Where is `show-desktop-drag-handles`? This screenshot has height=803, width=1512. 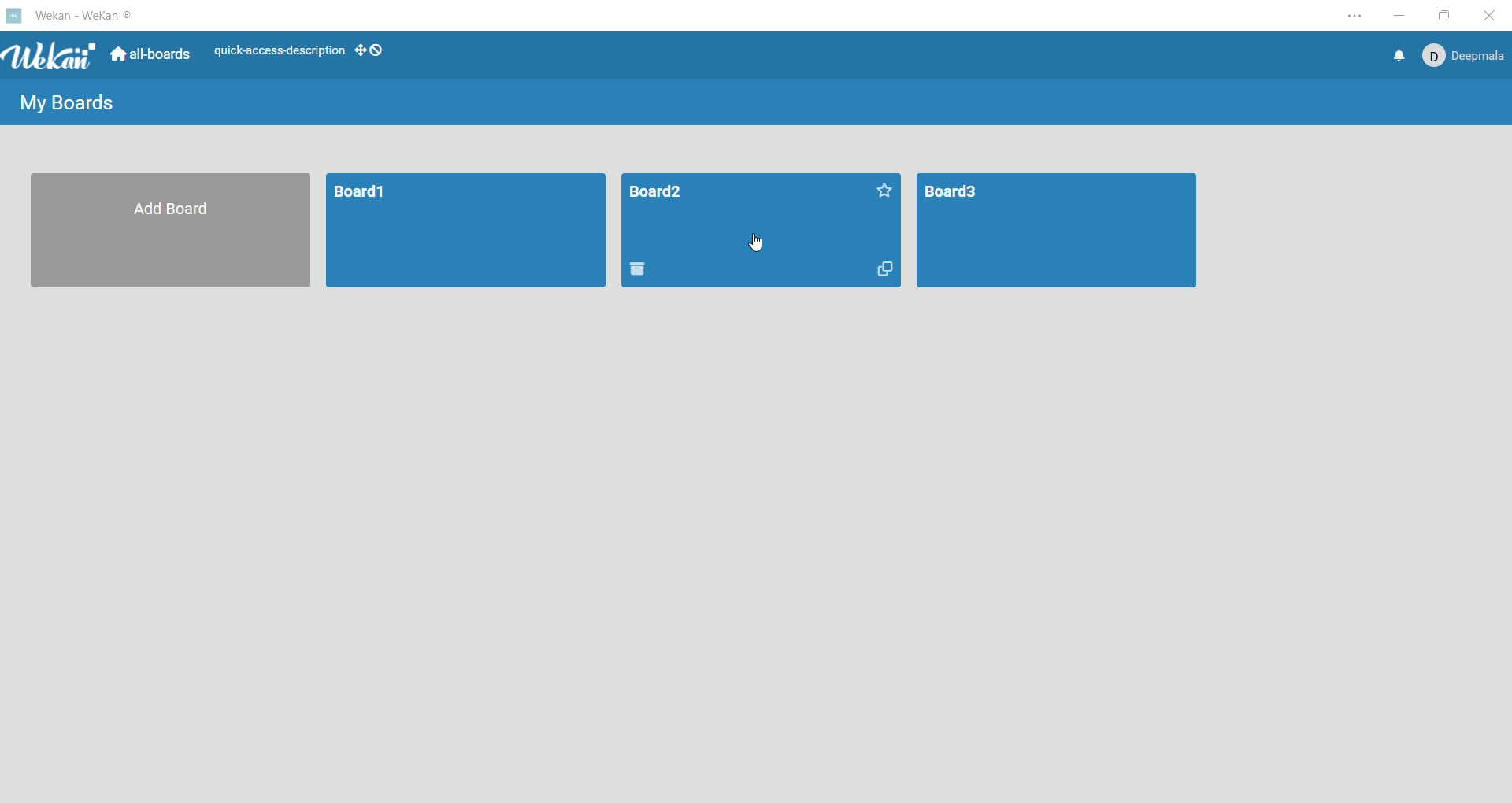 show-desktop-drag-handles is located at coordinates (372, 50).